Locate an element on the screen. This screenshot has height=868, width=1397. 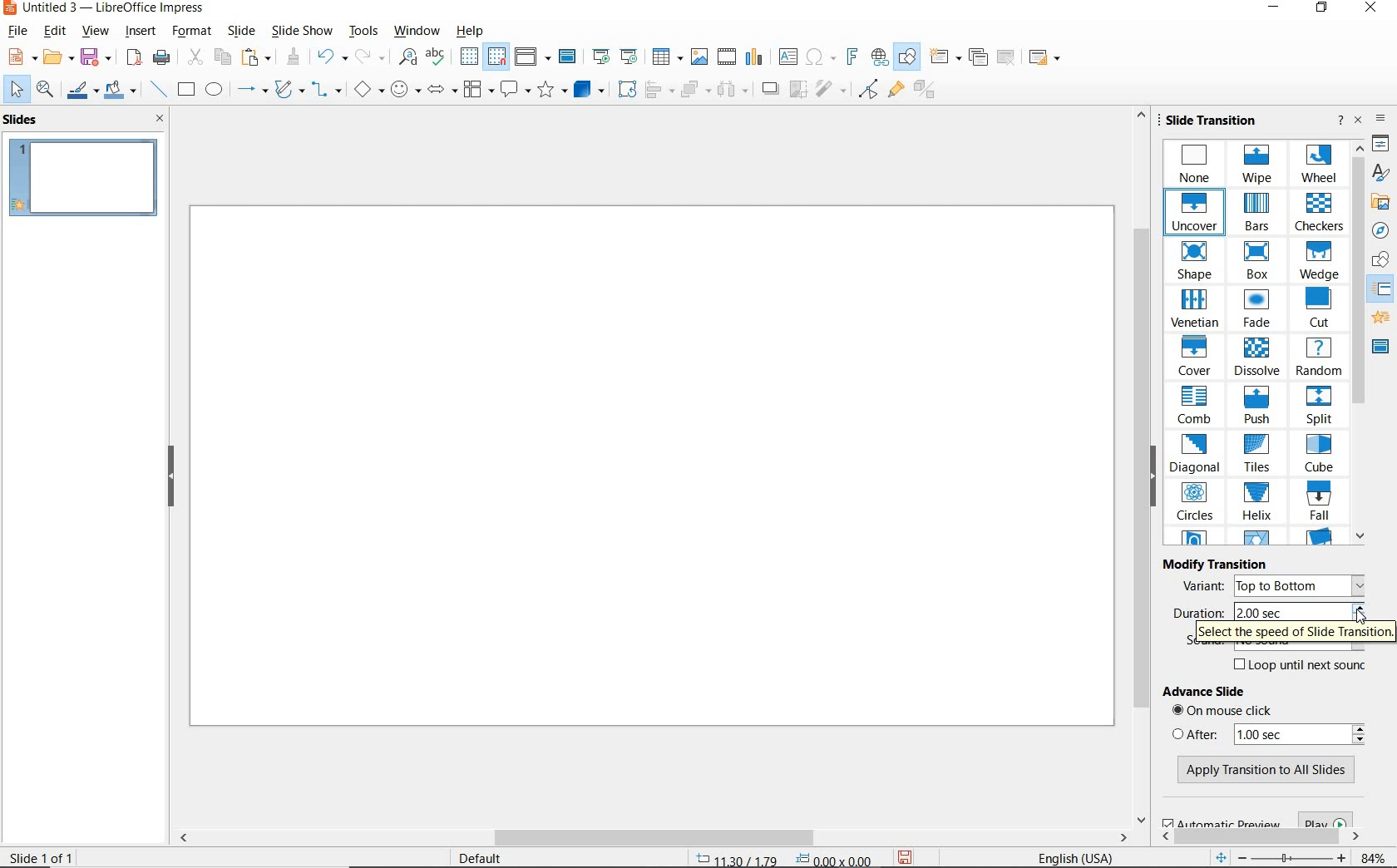
LINE COLOR is located at coordinates (83, 91).